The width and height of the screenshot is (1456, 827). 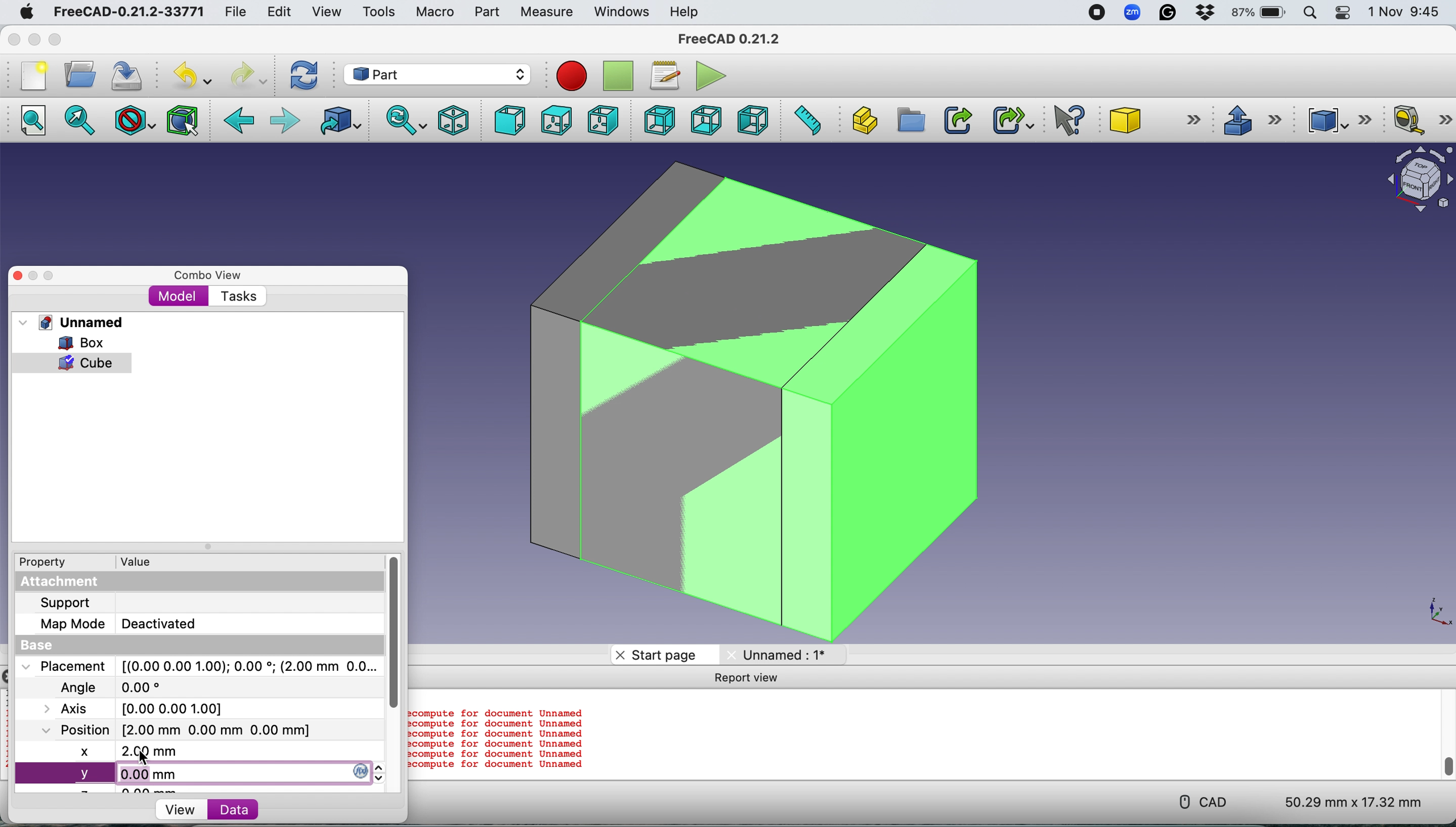 I want to click on Angle 0.00, so click(x=119, y=688).